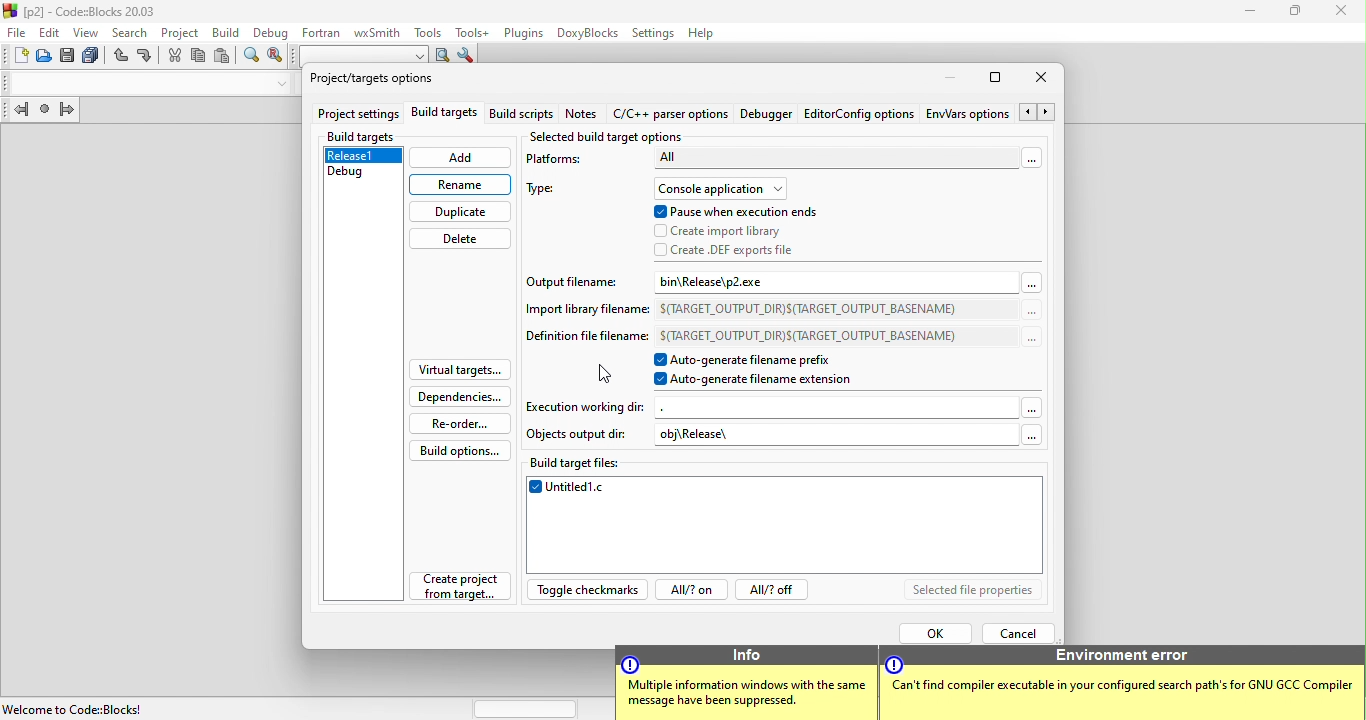 The height and width of the screenshot is (720, 1366). What do you see at coordinates (747, 654) in the screenshot?
I see `` at bounding box center [747, 654].